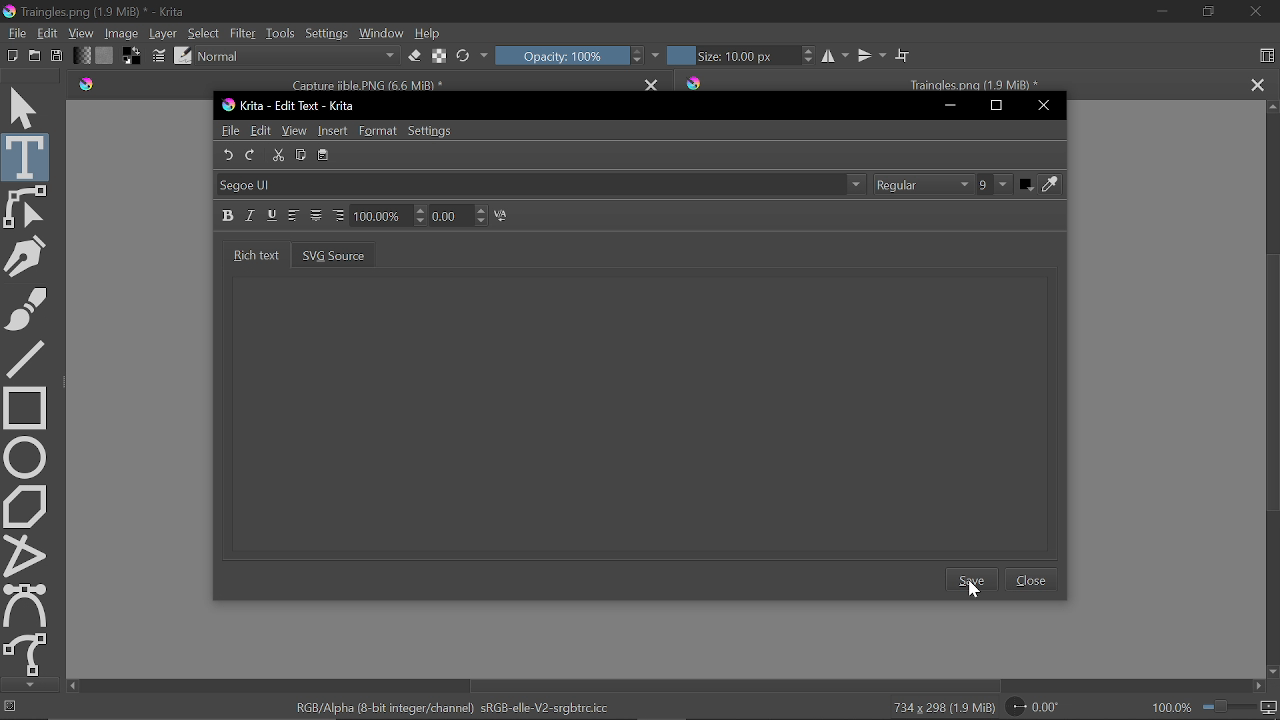 Image resolution: width=1280 pixels, height=720 pixels. I want to click on Help, so click(430, 32).